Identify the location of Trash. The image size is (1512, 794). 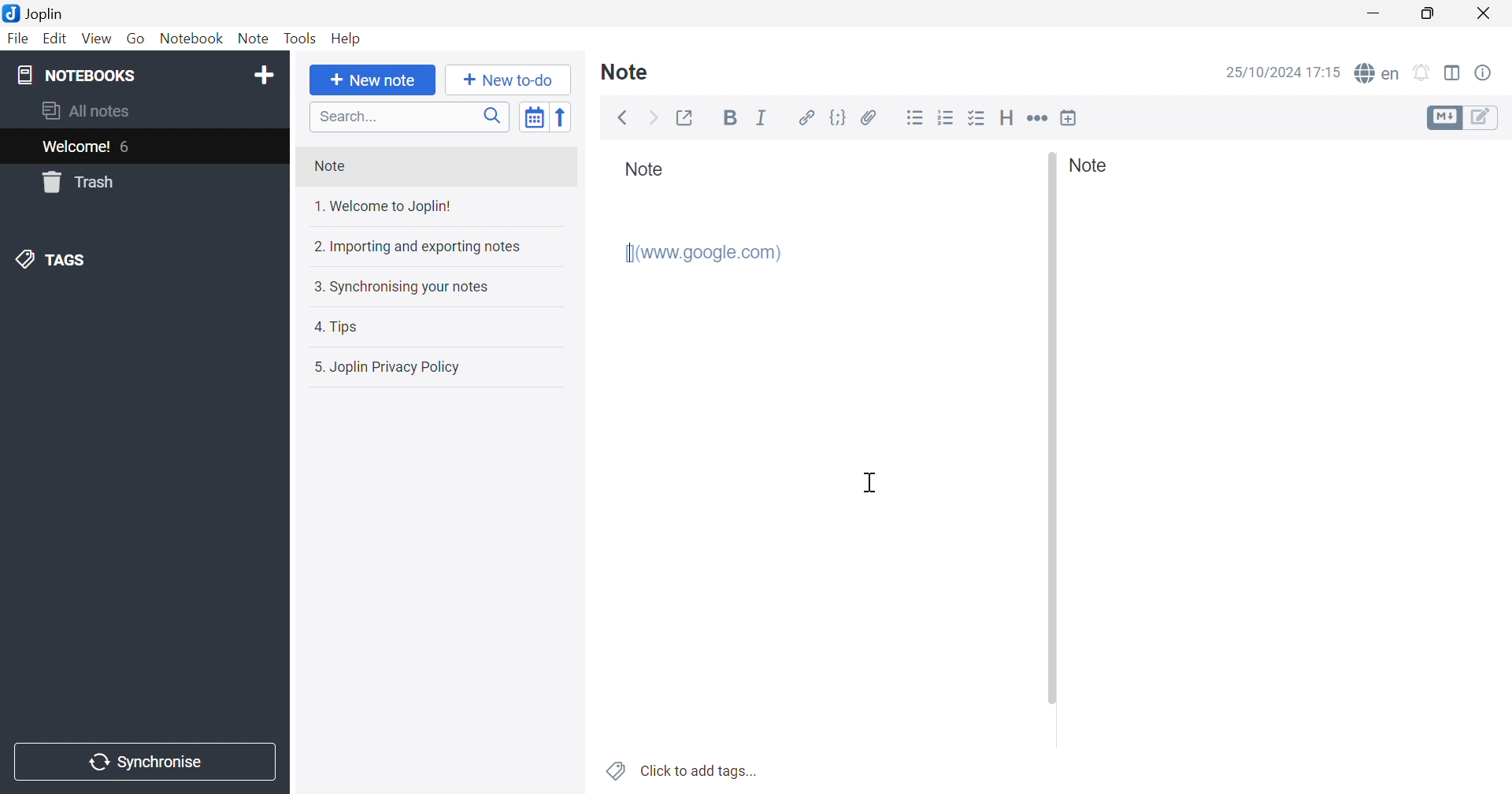
(141, 182).